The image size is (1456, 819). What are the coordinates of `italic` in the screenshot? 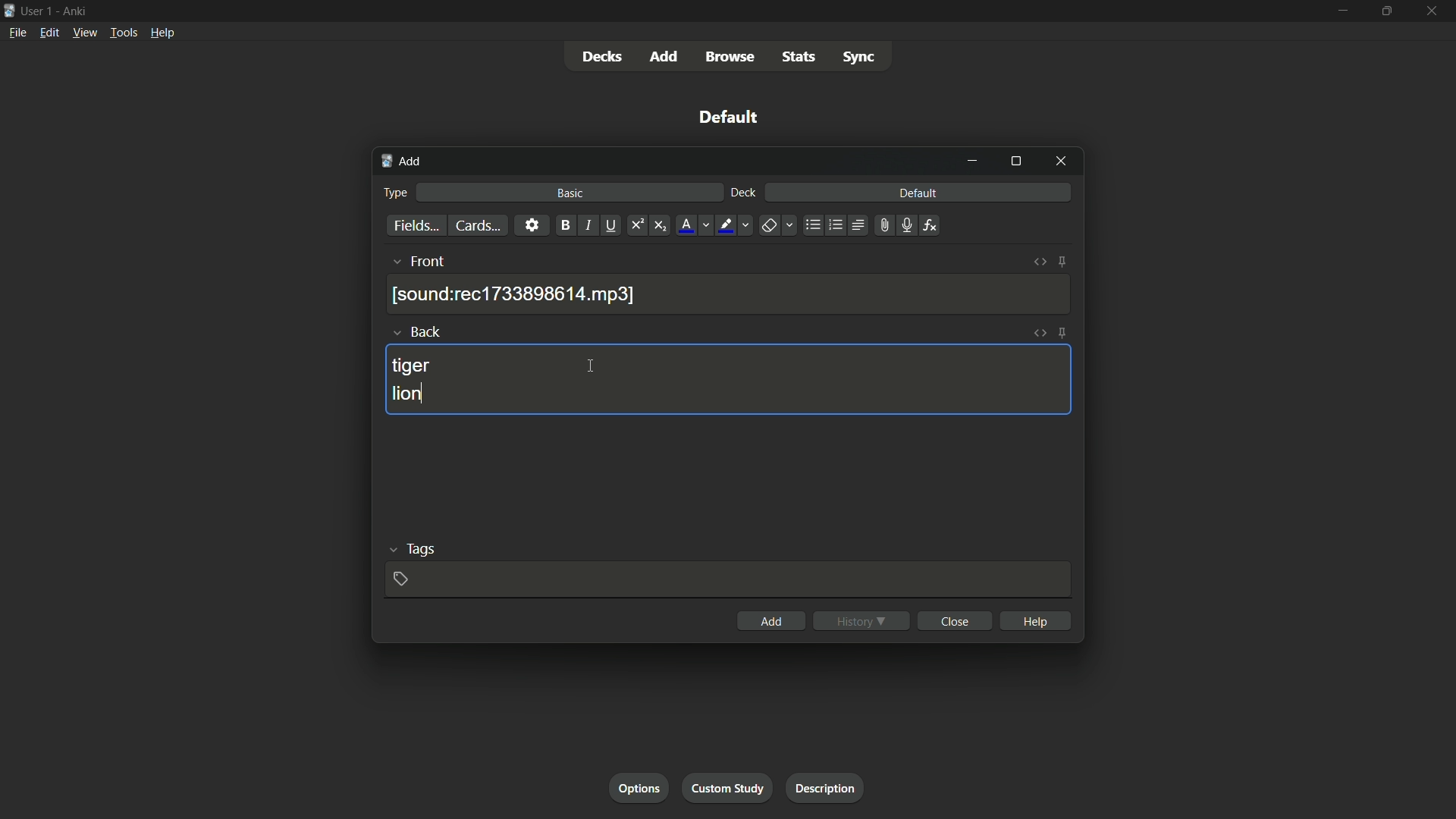 It's located at (588, 227).